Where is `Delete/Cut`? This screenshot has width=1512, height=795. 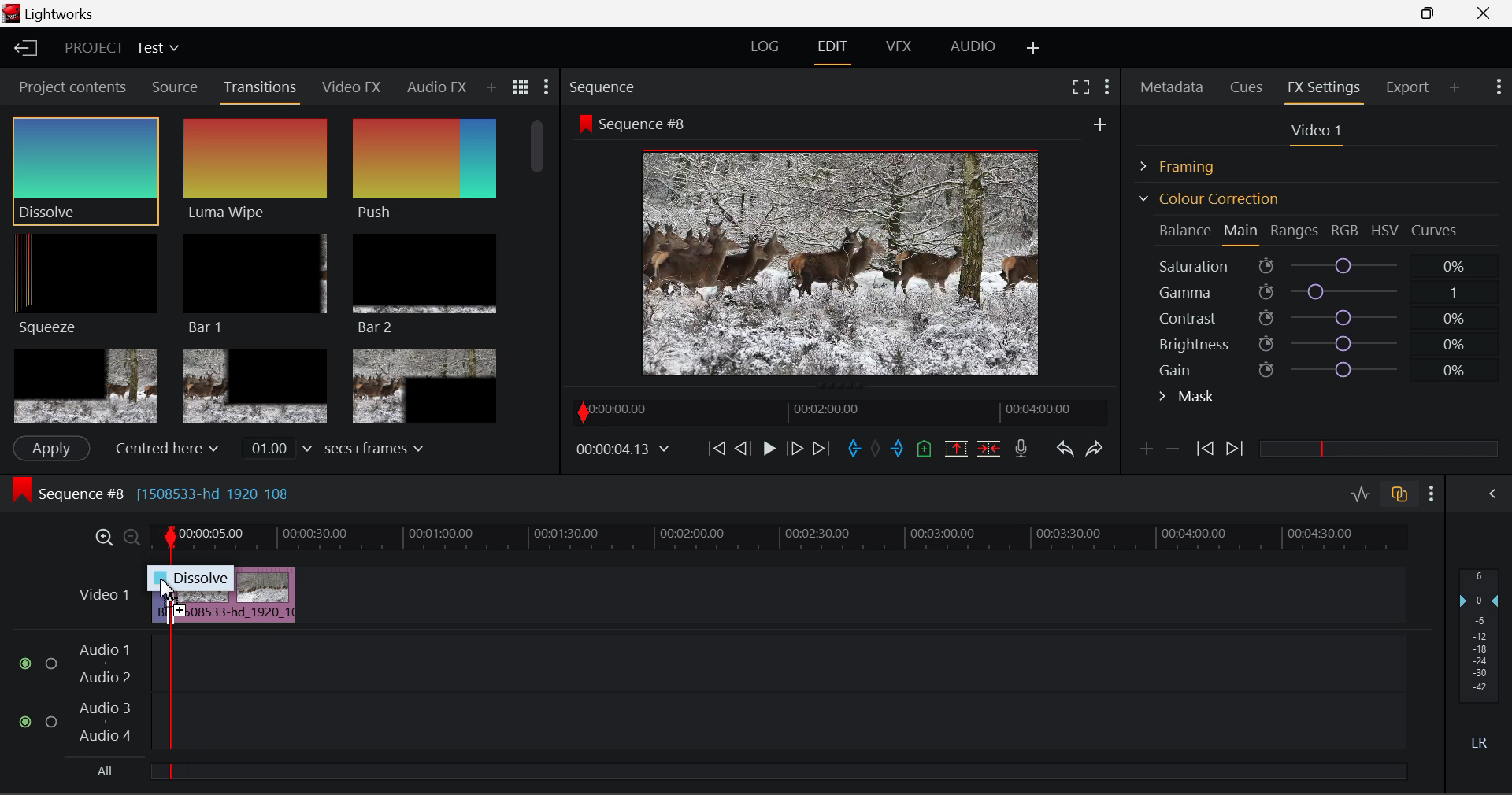 Delete/Cut is located at coordinates (989, 448).